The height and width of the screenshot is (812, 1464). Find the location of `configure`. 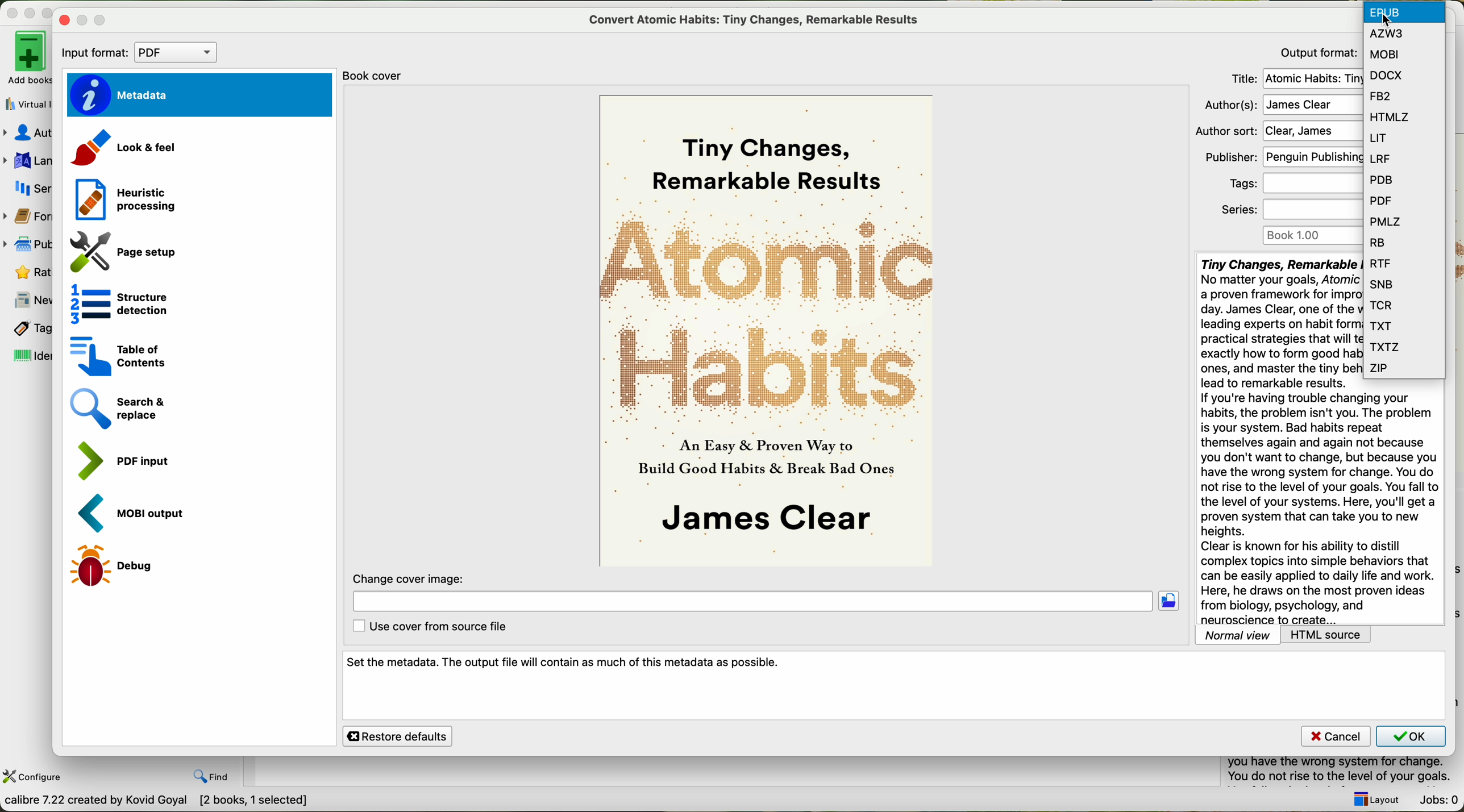

configure is located at coordinates (34, 777).